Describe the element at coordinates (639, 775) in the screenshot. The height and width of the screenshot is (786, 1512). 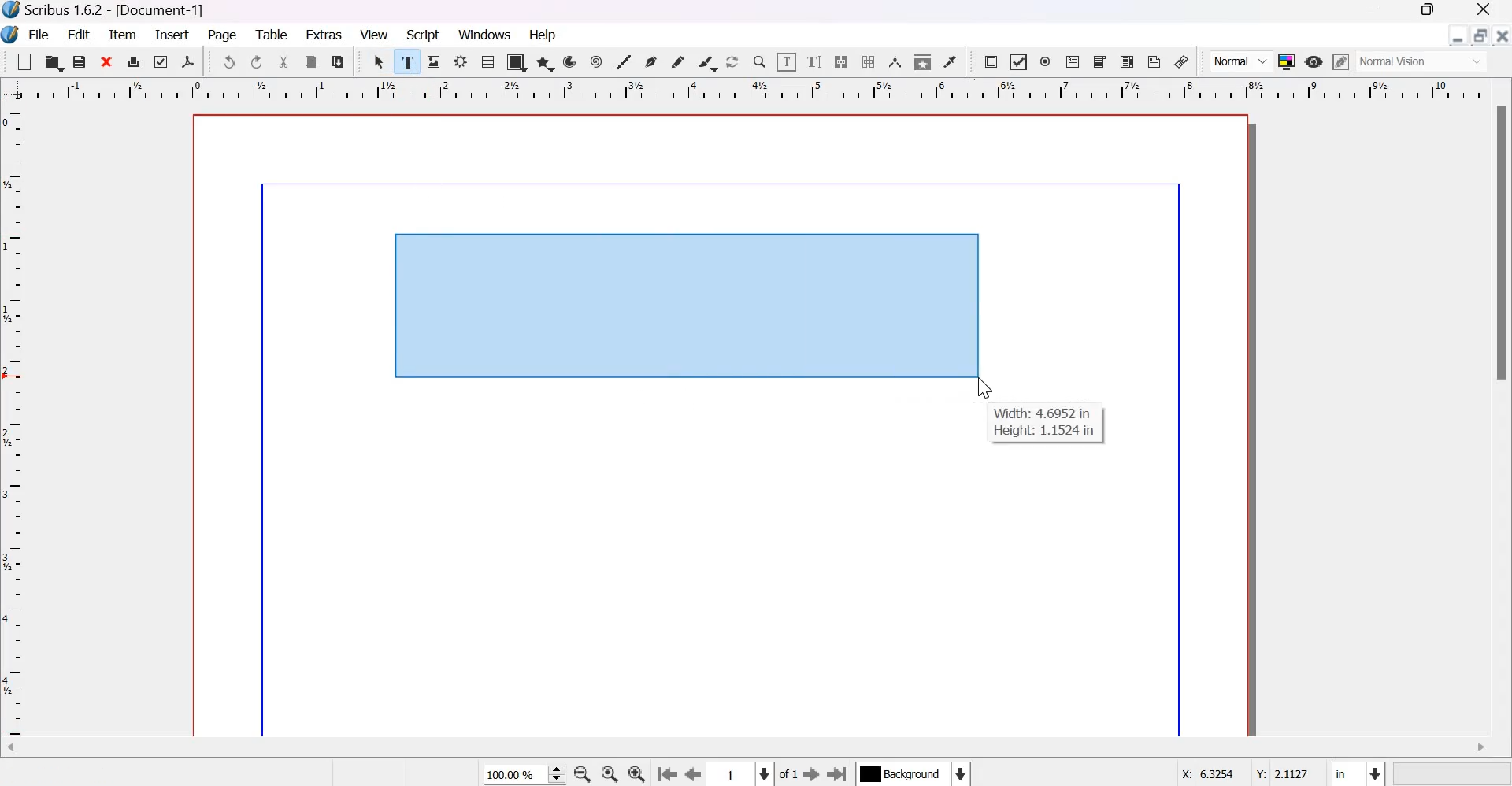
I see `` at that location.